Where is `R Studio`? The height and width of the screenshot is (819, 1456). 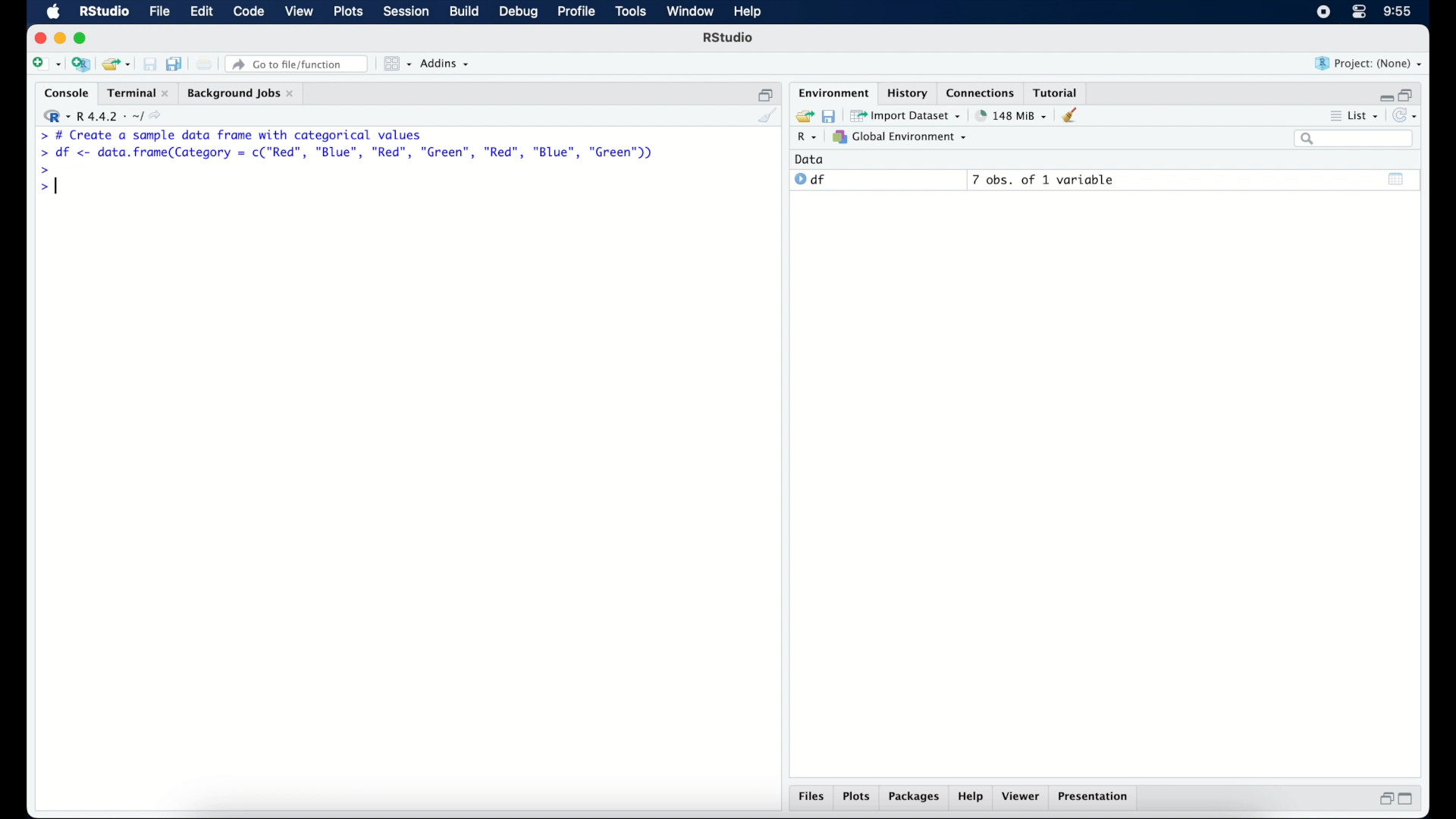 R Studio is located at coordinates (730, 38).